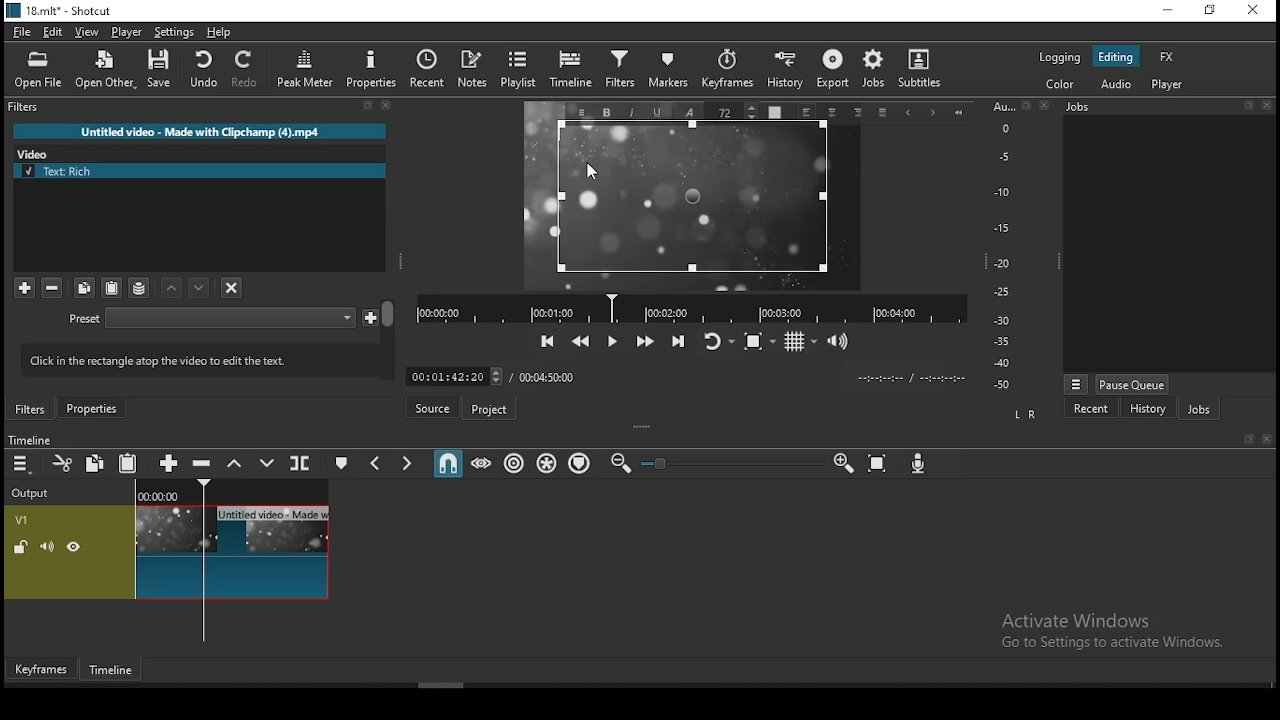 Image resolution: width=1280 pixels, height=720 pixels. I want to click on Timeline Navigator, so click(691, 309).